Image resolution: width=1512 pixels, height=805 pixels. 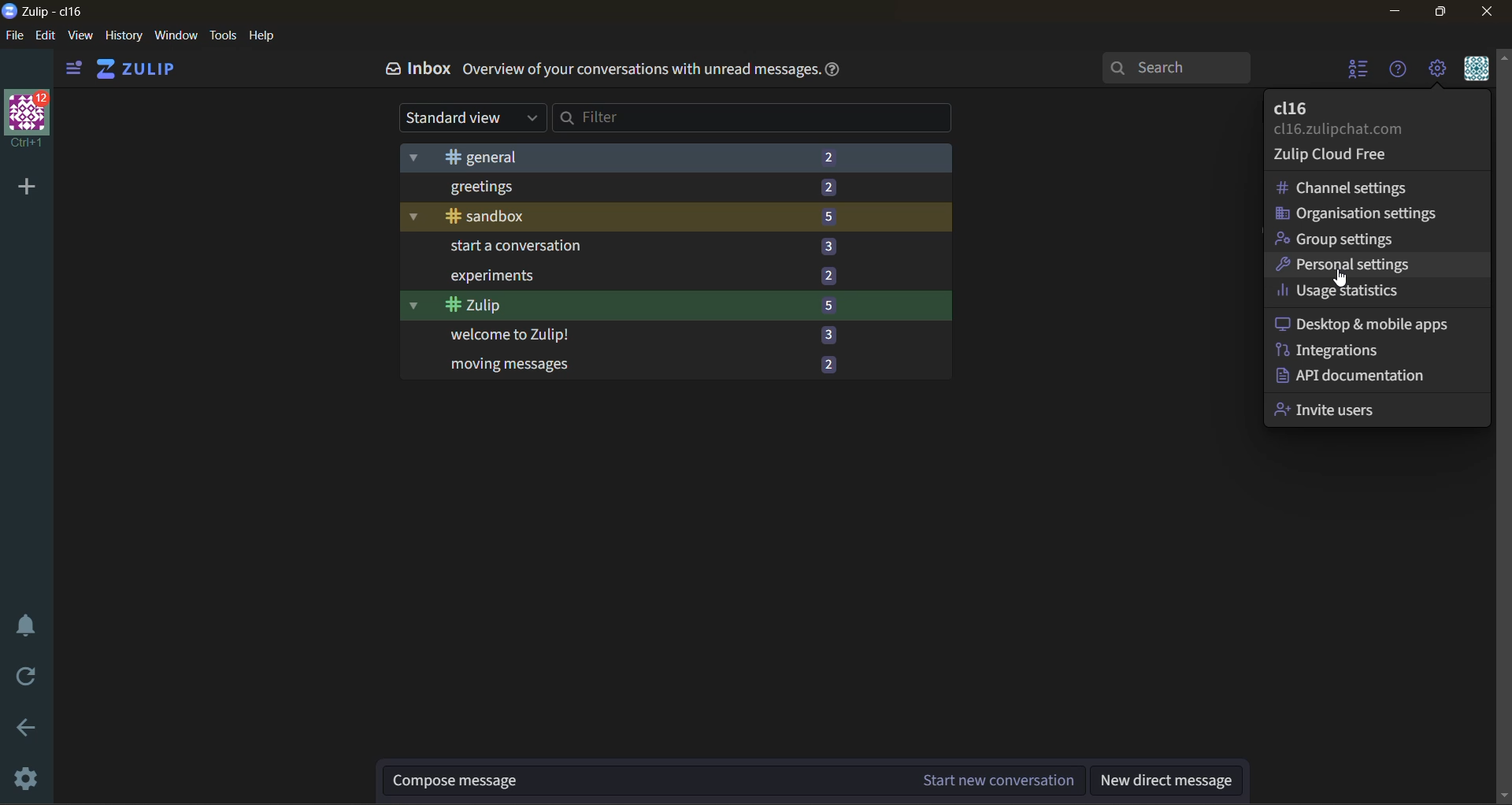 What do you see at coordinates (1440, 72) in the screenshot?
I see `main menu` at bounding box center [1440, 72].